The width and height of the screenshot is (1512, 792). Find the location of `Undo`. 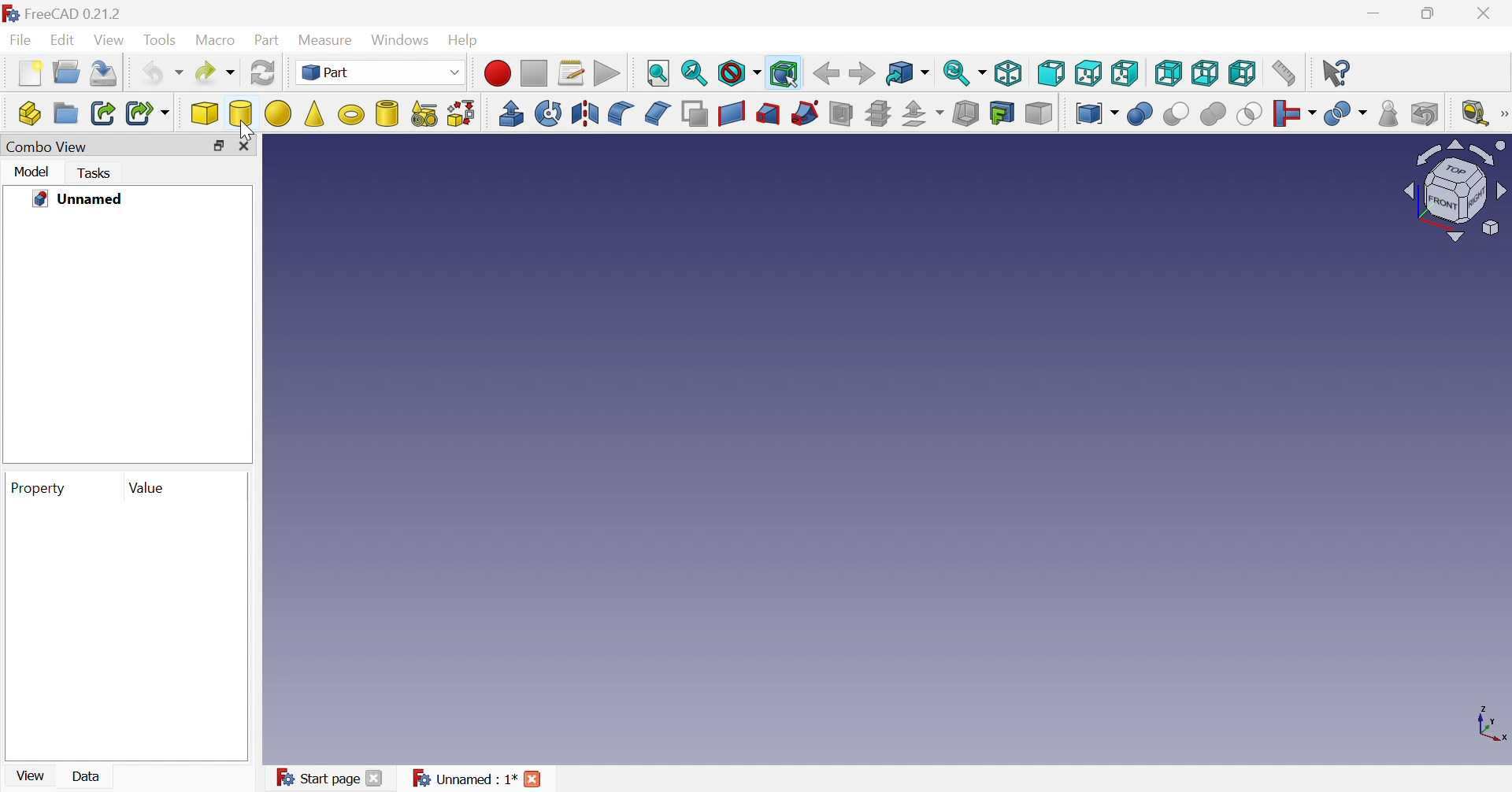

Undo is located at coordinates (161, 76).